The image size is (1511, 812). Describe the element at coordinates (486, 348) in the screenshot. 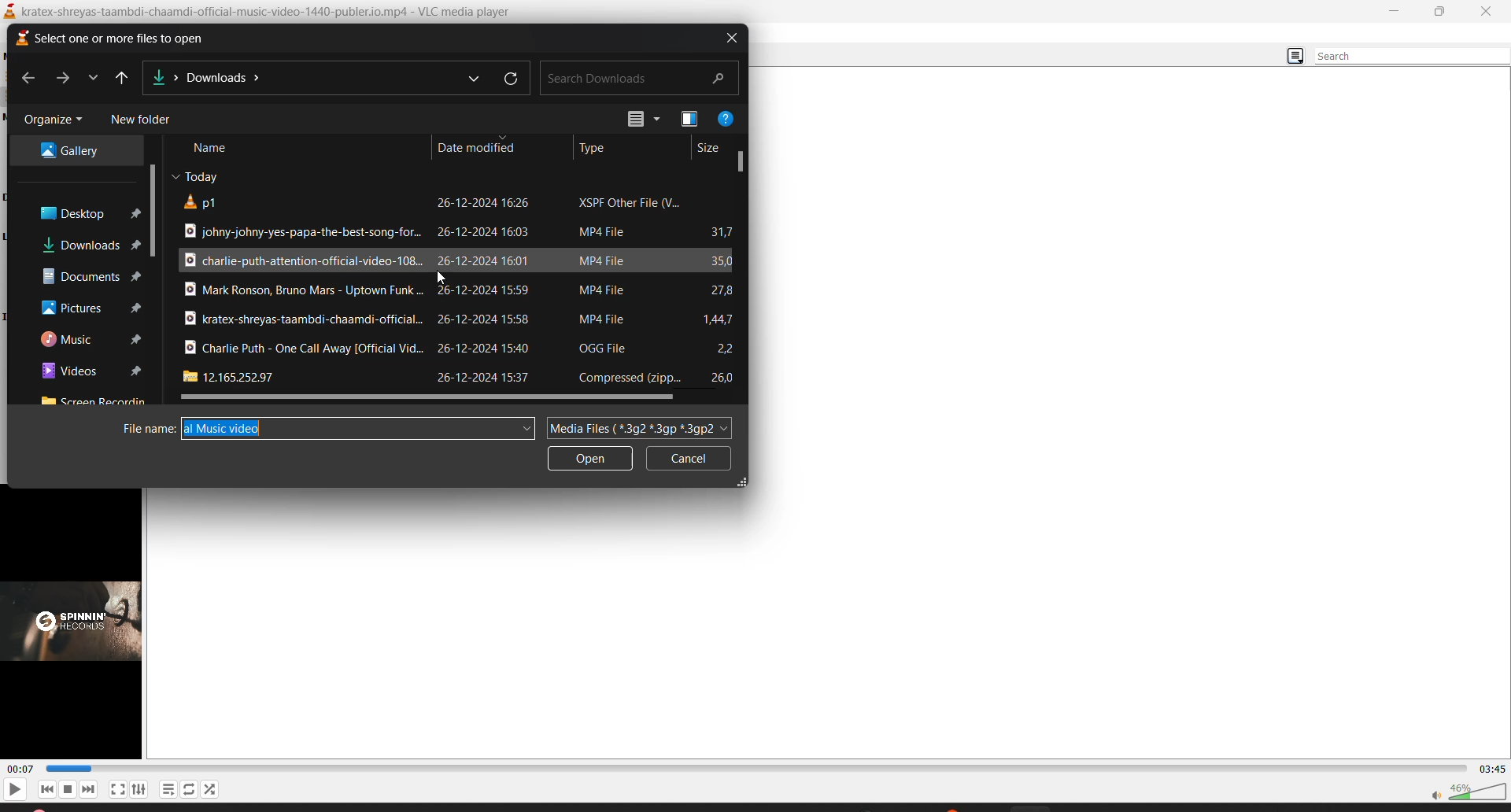

I see `date modified` at that location.